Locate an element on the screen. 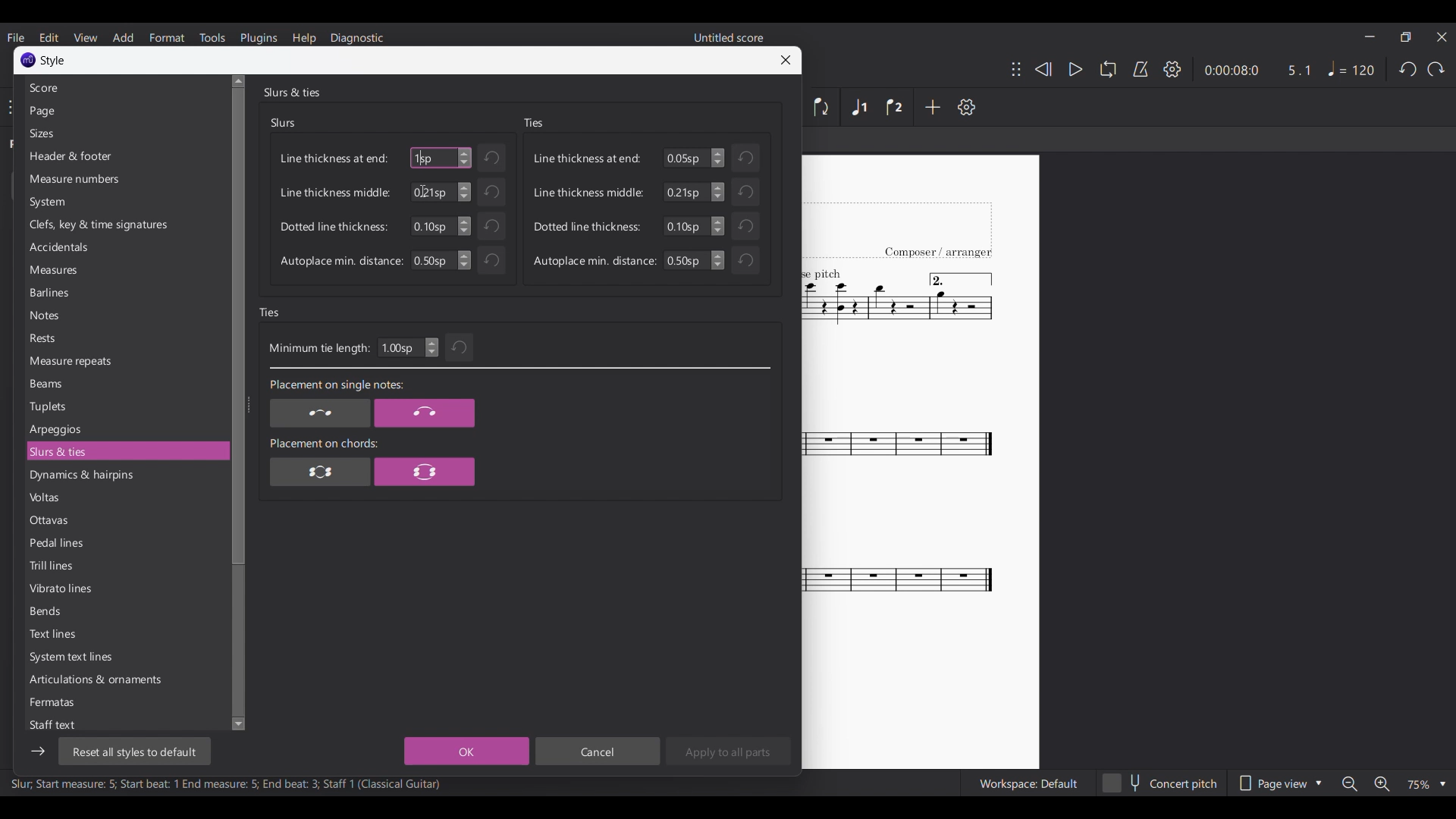  Increase/Decrease minimum tie length is located at coordinates (431, 347).